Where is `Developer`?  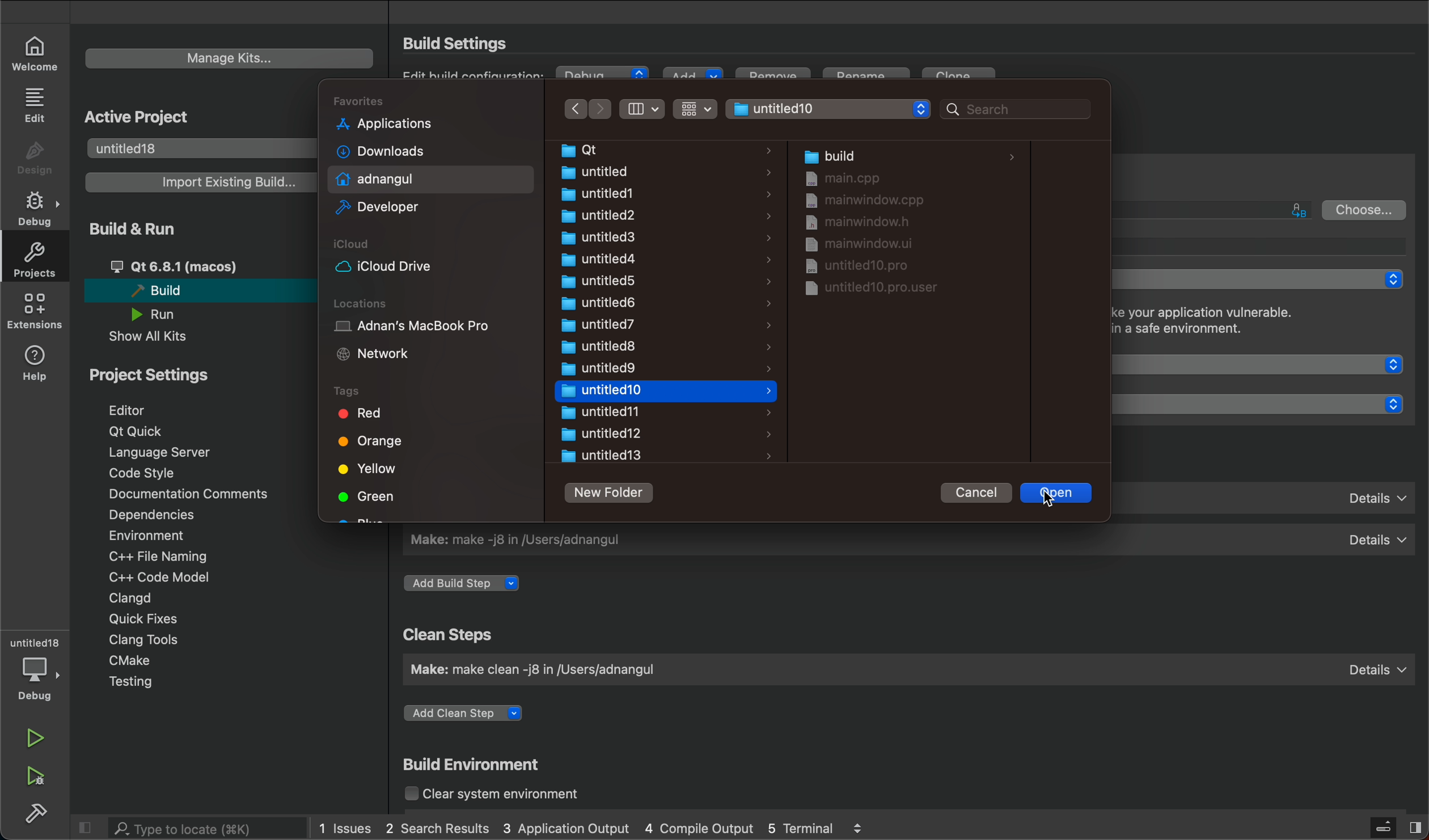
Developer is located at coordinates (380, 207).